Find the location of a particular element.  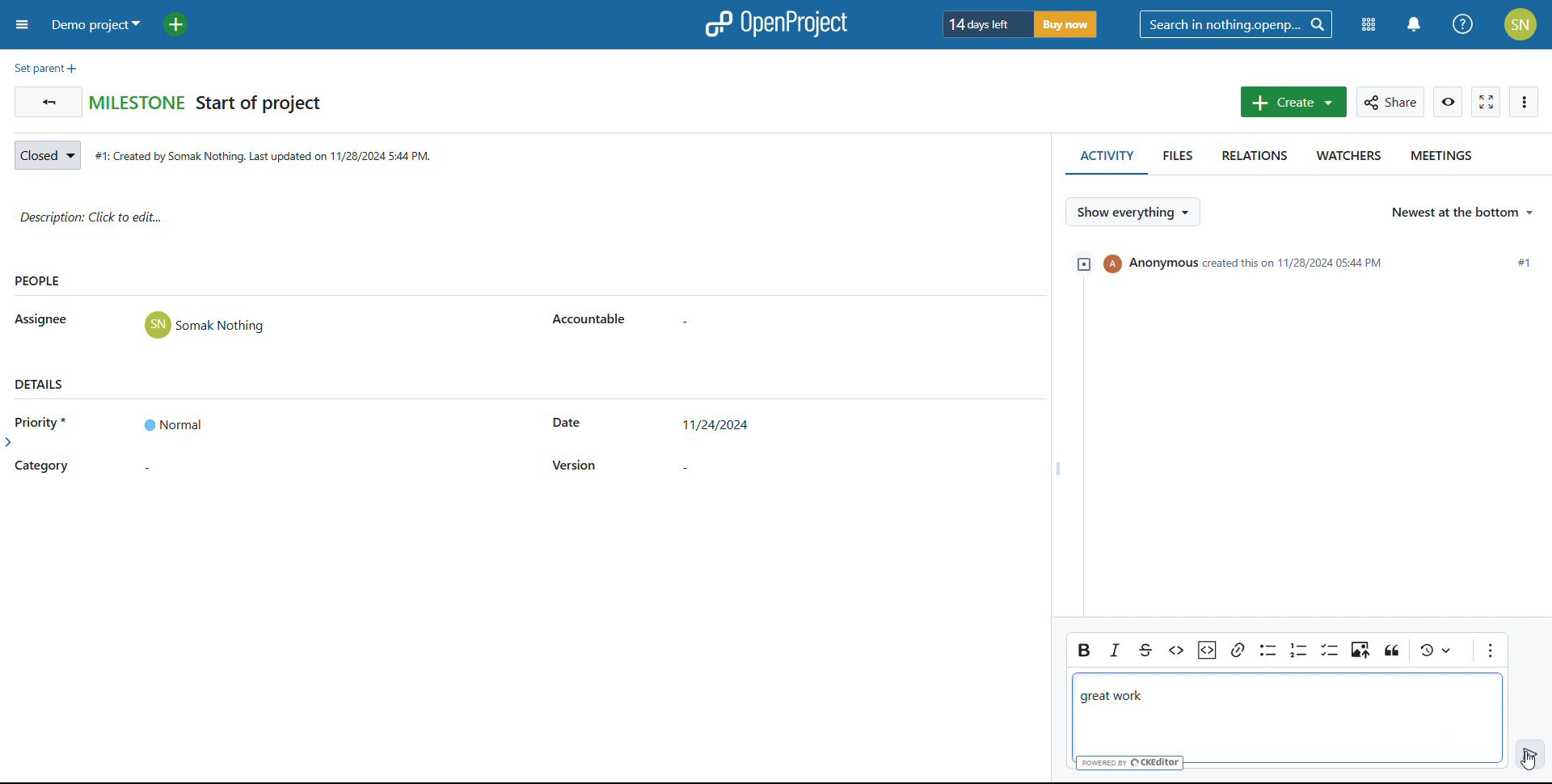

account is located at coordinates (1520, 24).